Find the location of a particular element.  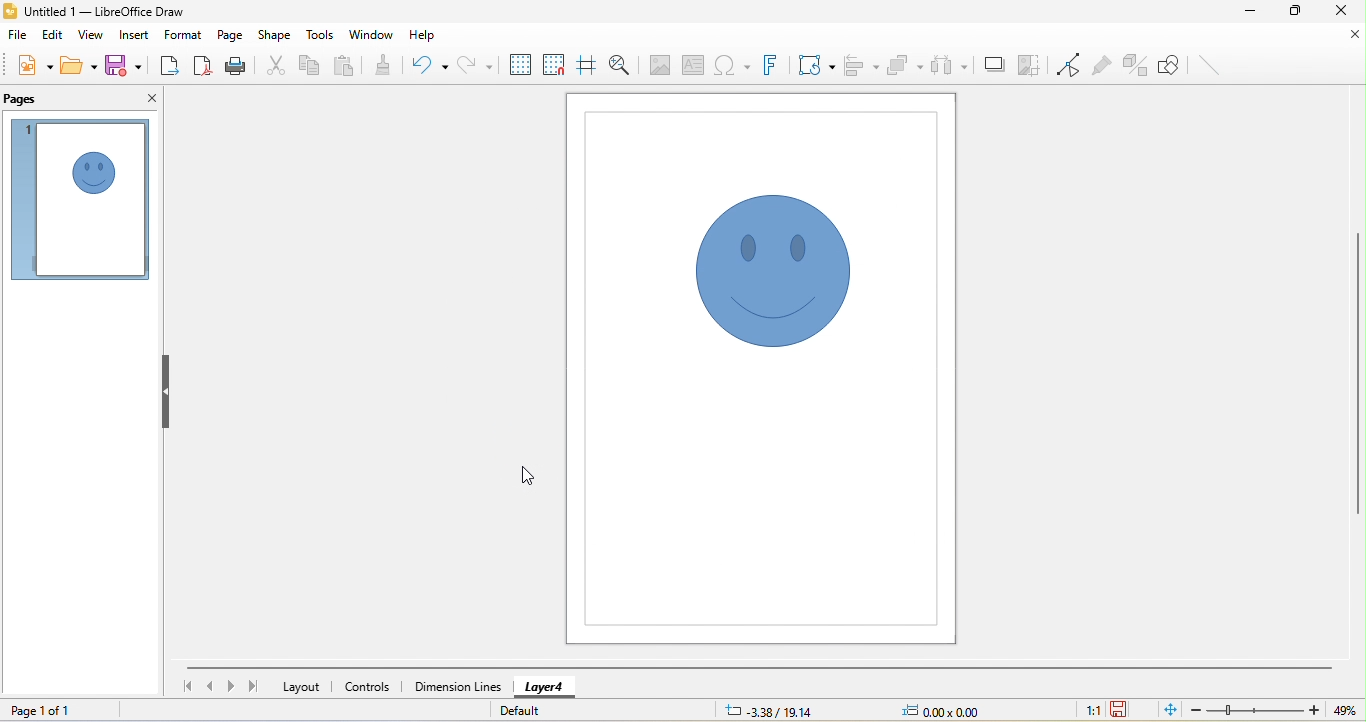

pages is located at coordinates (29, 99).